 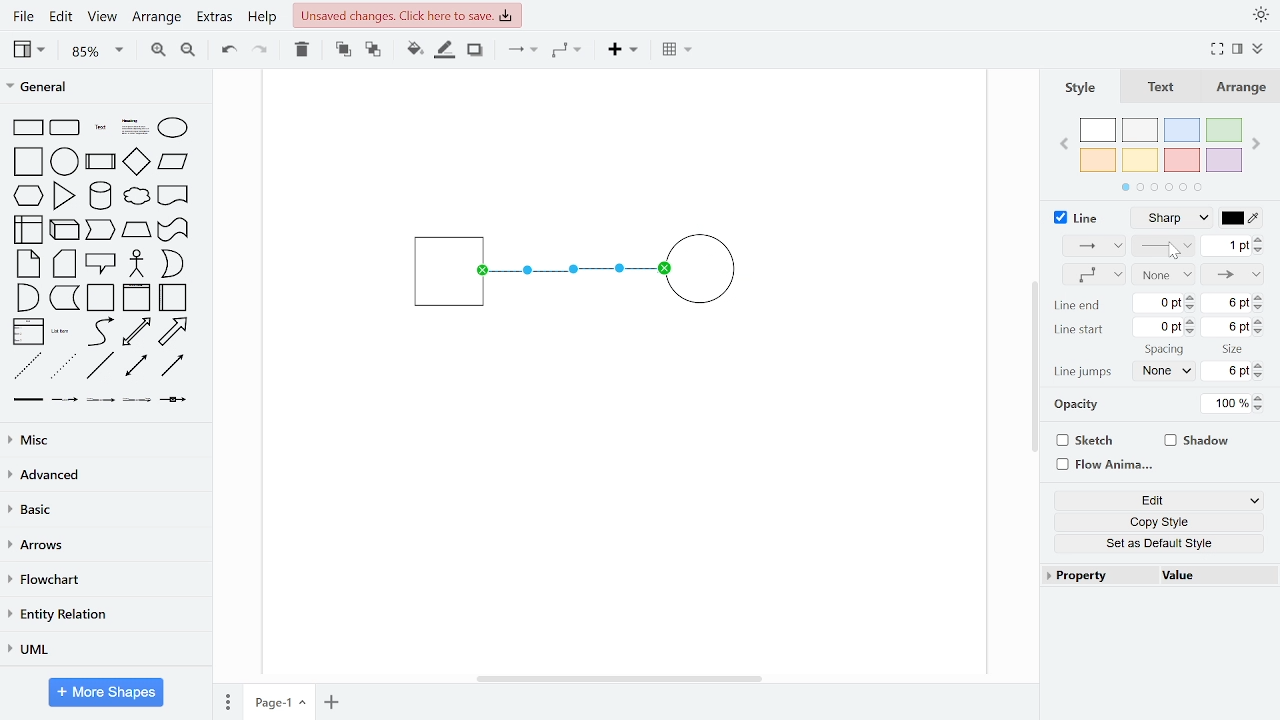 I want to click on vertical scroll bar, so click(x=1034, y=368).